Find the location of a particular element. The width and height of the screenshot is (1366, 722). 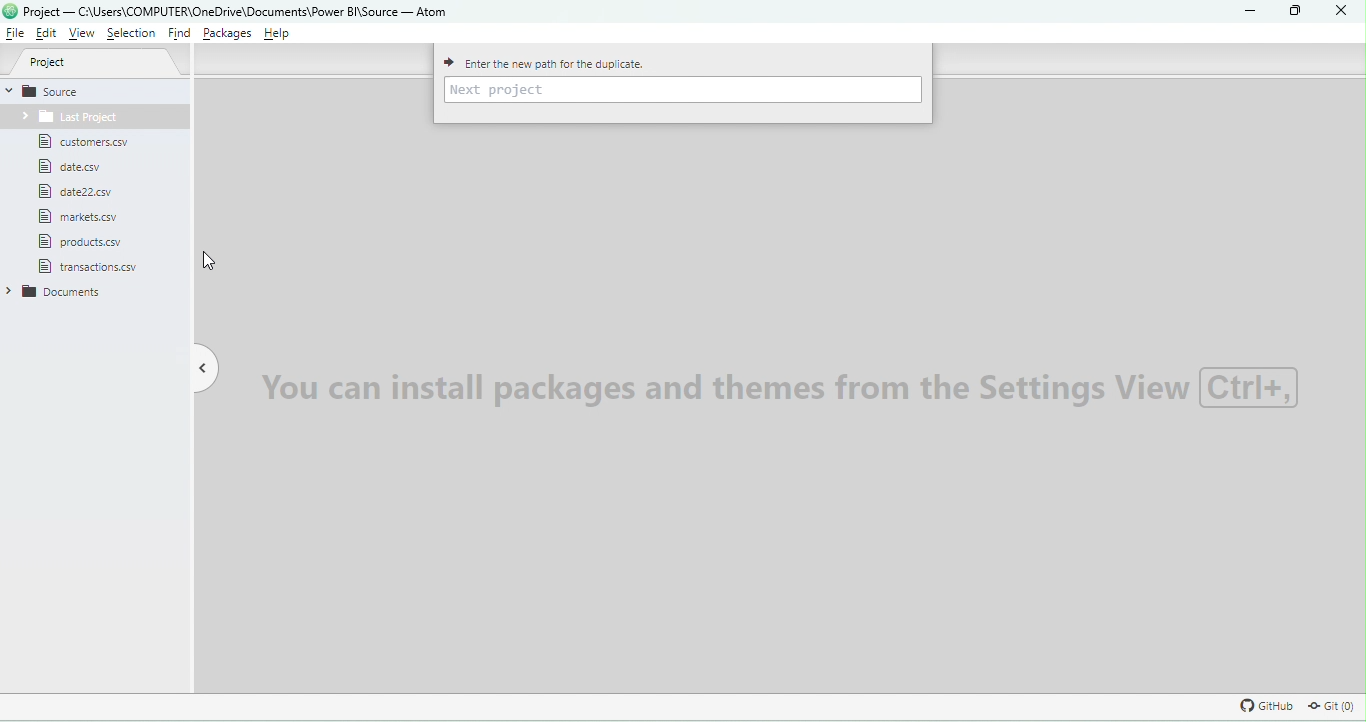

Git repository is located at coordinates (1325, 706).